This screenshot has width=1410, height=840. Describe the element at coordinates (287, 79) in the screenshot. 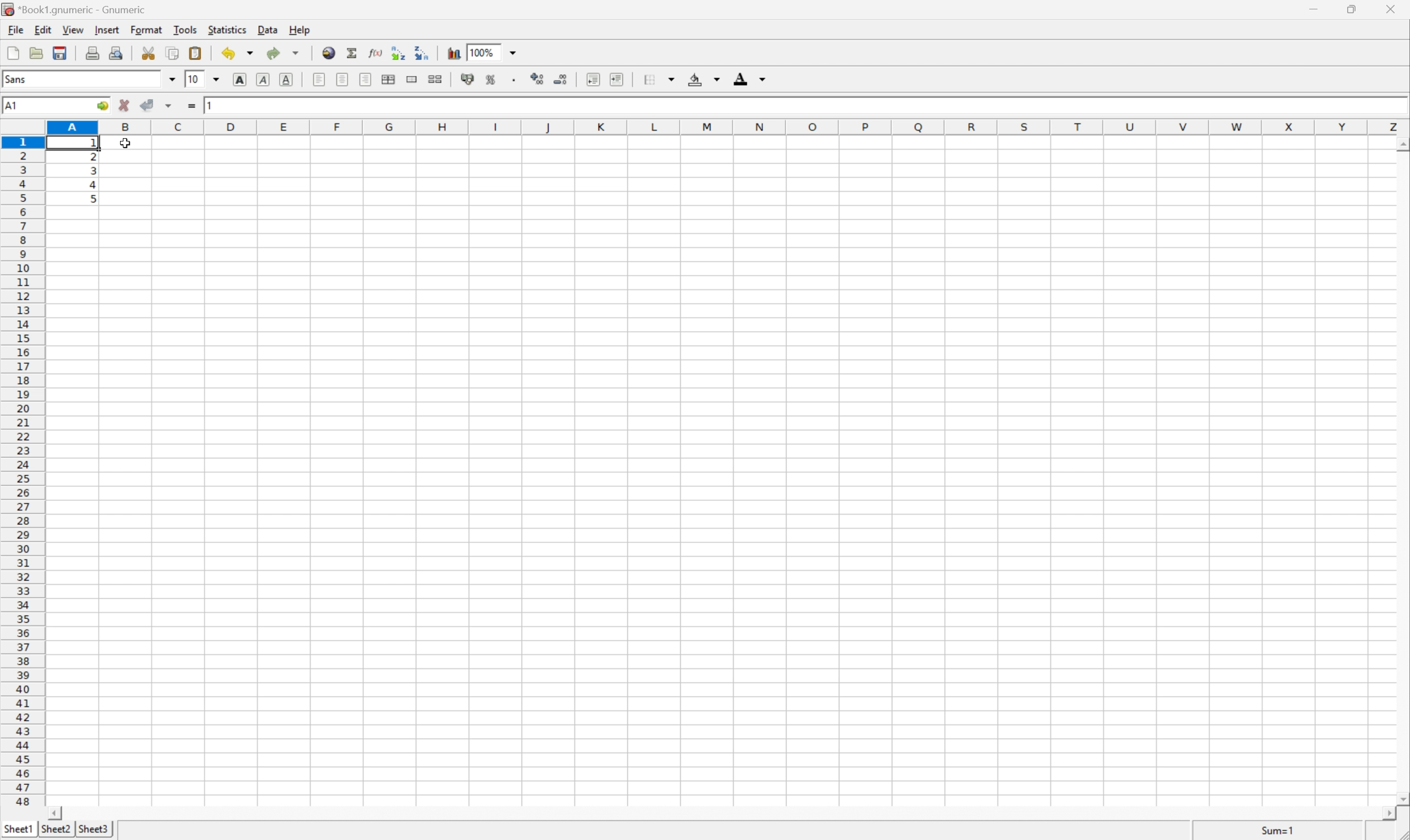

I see `Underline` at that location.